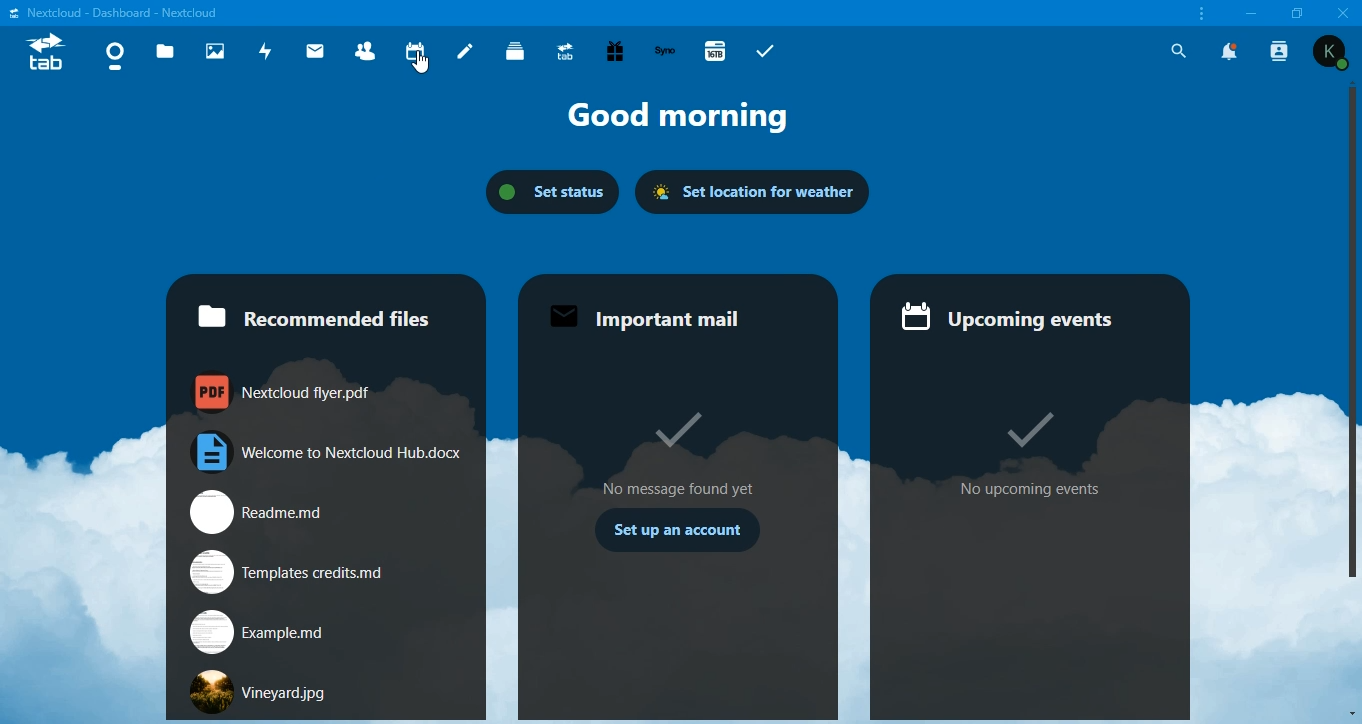 The width and height of the screenshot is (1362, 724). I want to click on correct option, so click(1026, 422).